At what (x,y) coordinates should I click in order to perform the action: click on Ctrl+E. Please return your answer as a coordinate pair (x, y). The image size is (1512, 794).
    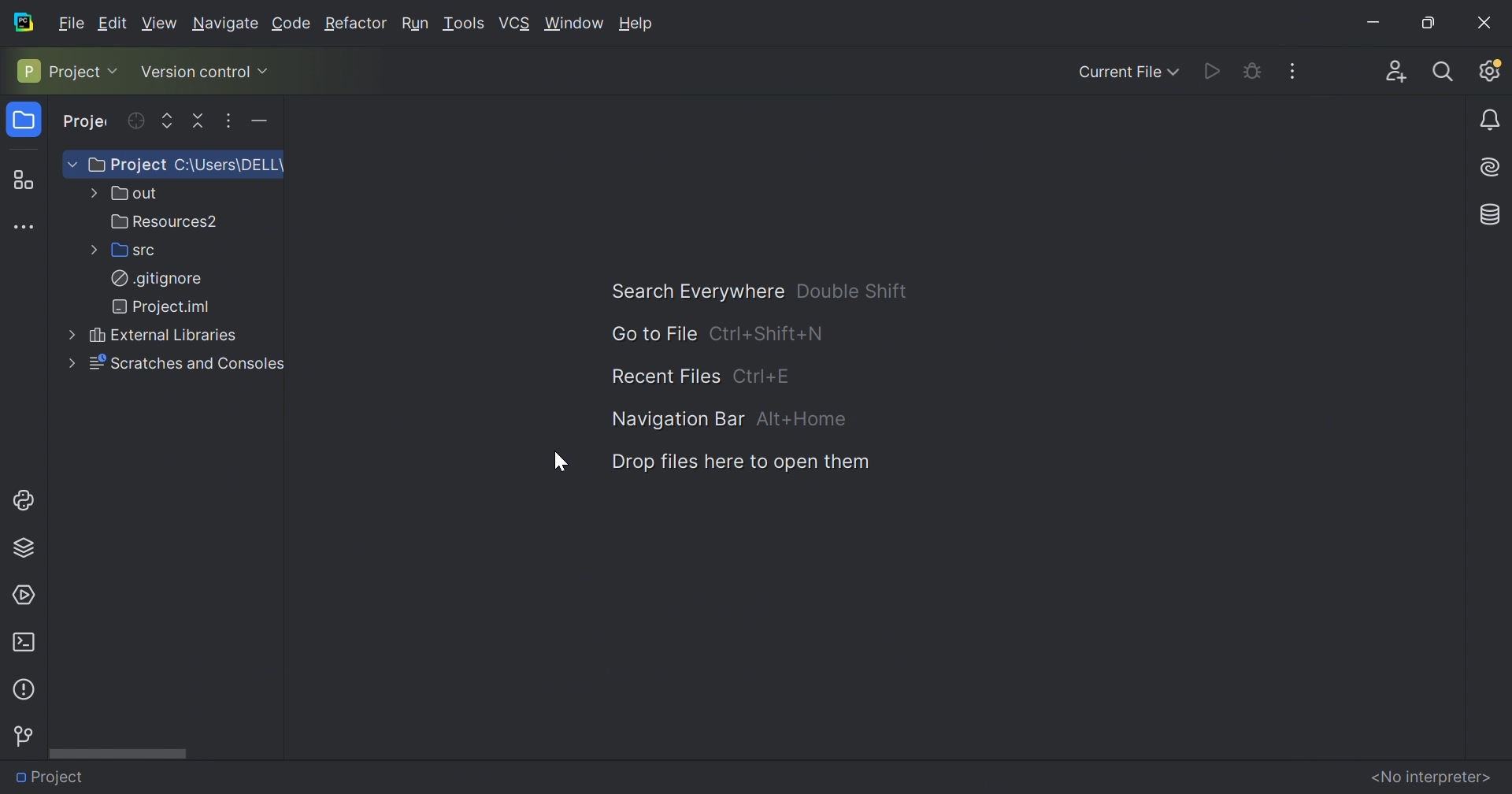
    Looking at the image, I should click on (764, 377).